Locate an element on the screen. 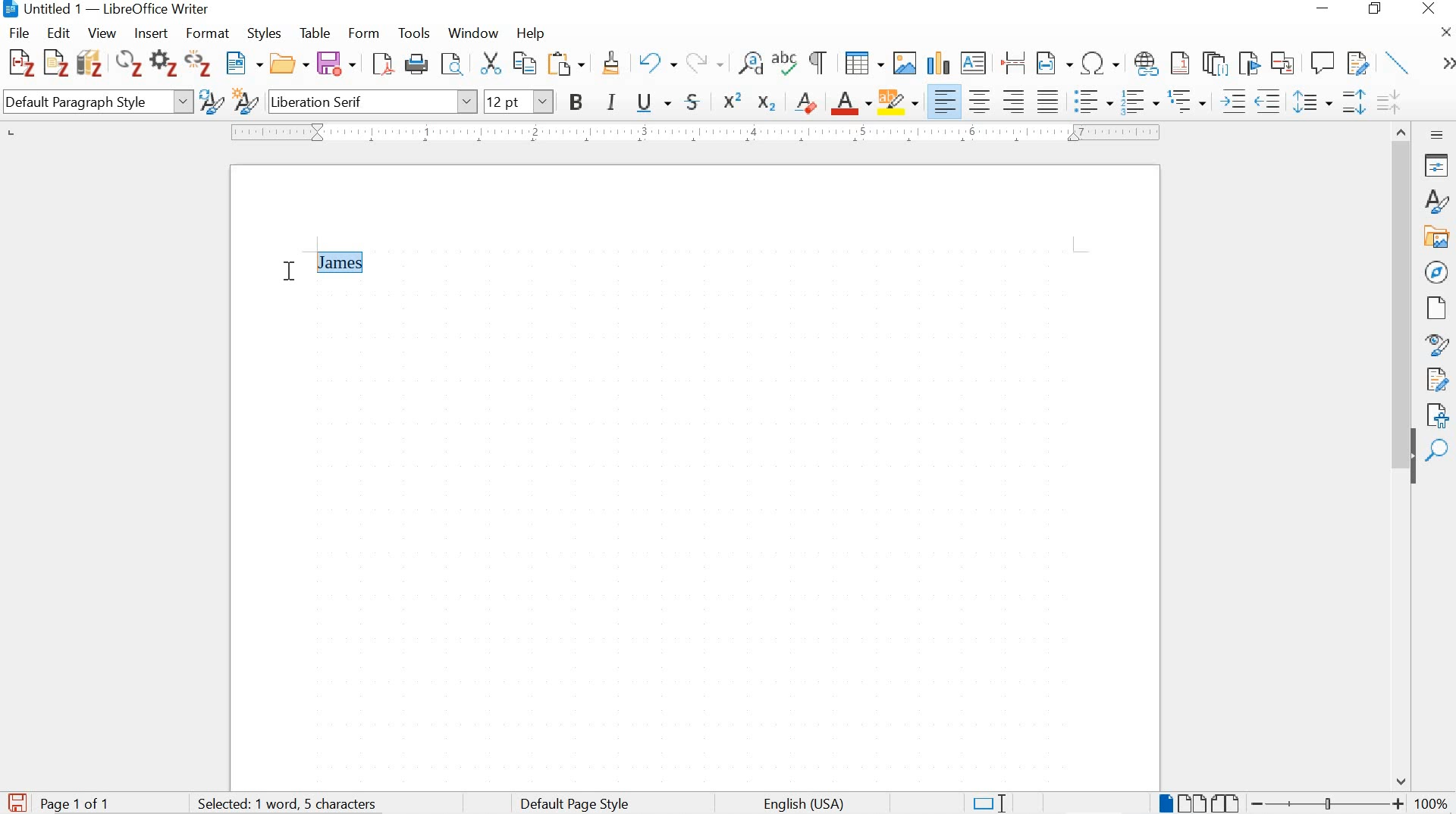 The height and width of the screenshot is (814, 1456). italic is located at coordinates (613, 104).